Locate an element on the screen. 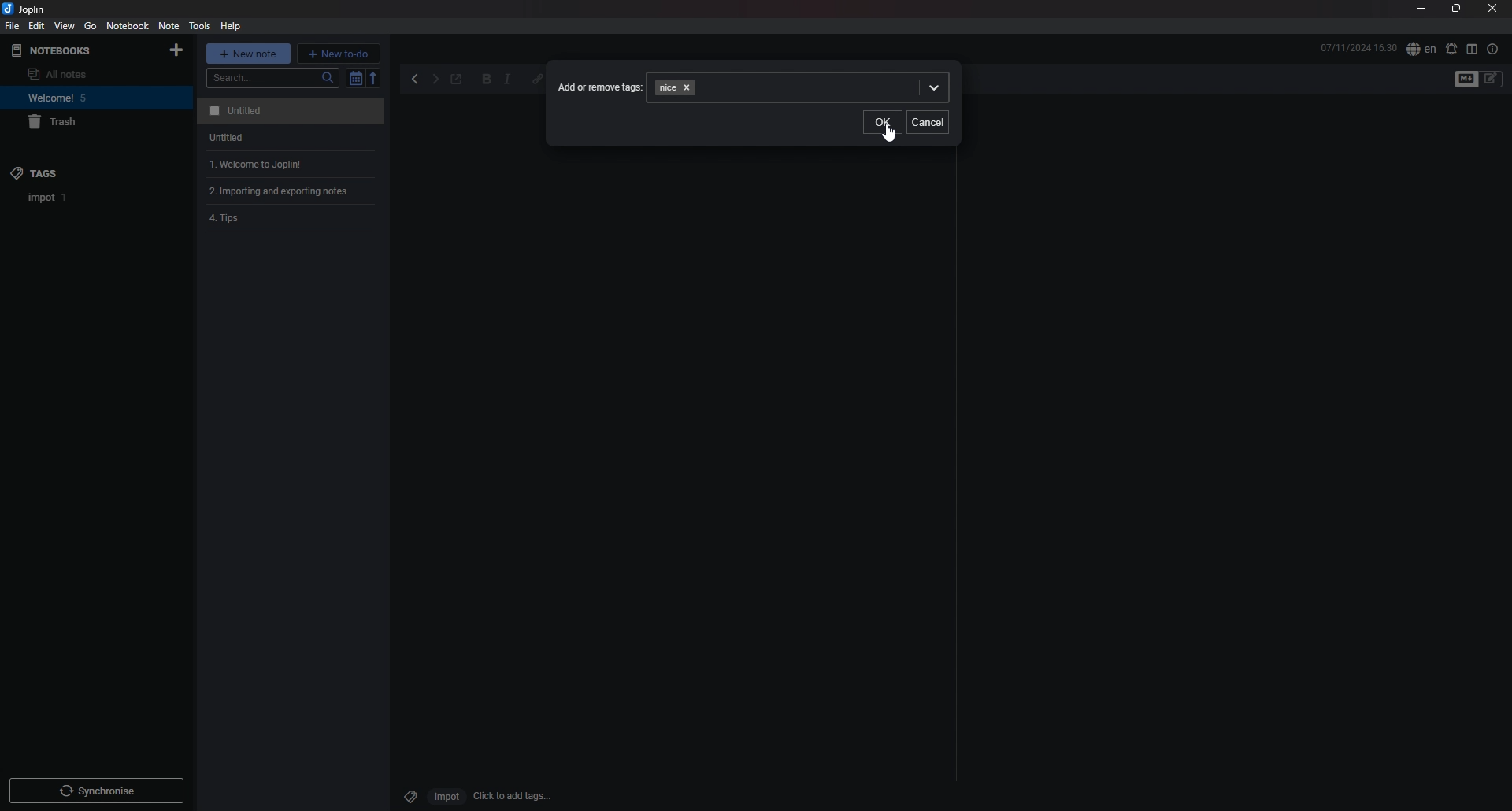 The width and height of the screenshot is (1512, 811). resize is located at coordinates (1455, 9).